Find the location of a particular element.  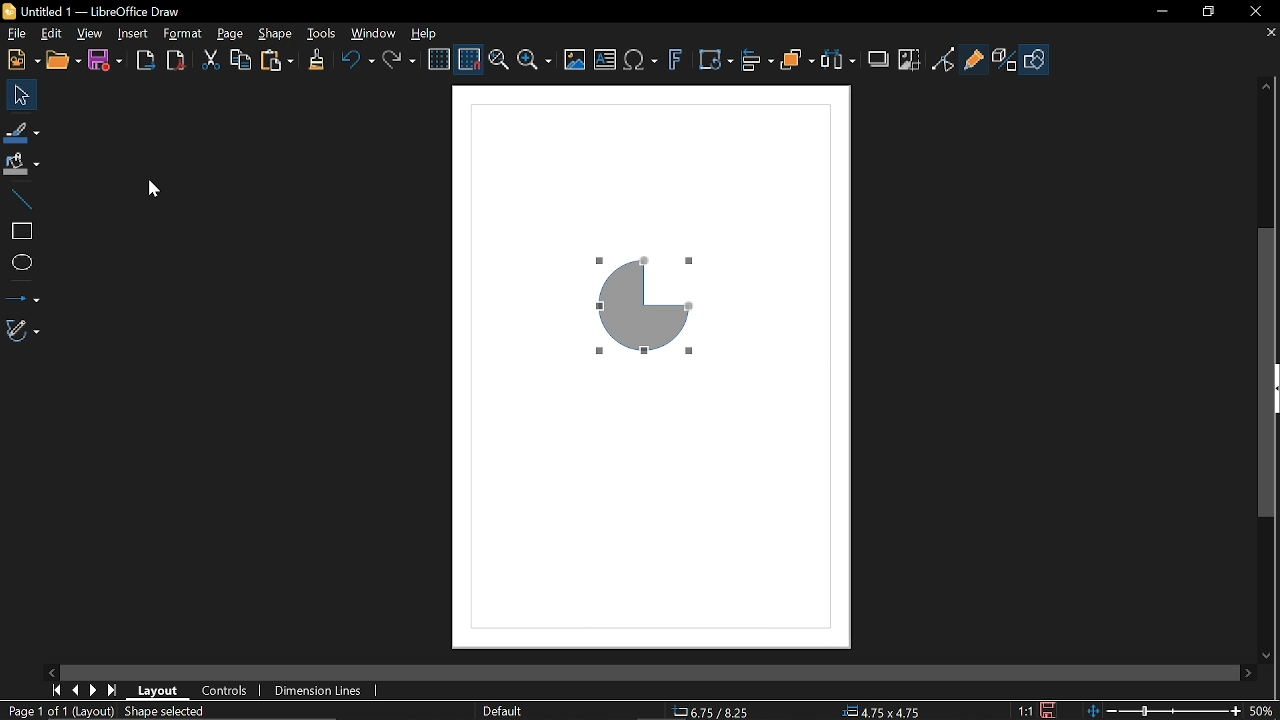

50% (Current Zoom) is located at coordinates (1264, 708).